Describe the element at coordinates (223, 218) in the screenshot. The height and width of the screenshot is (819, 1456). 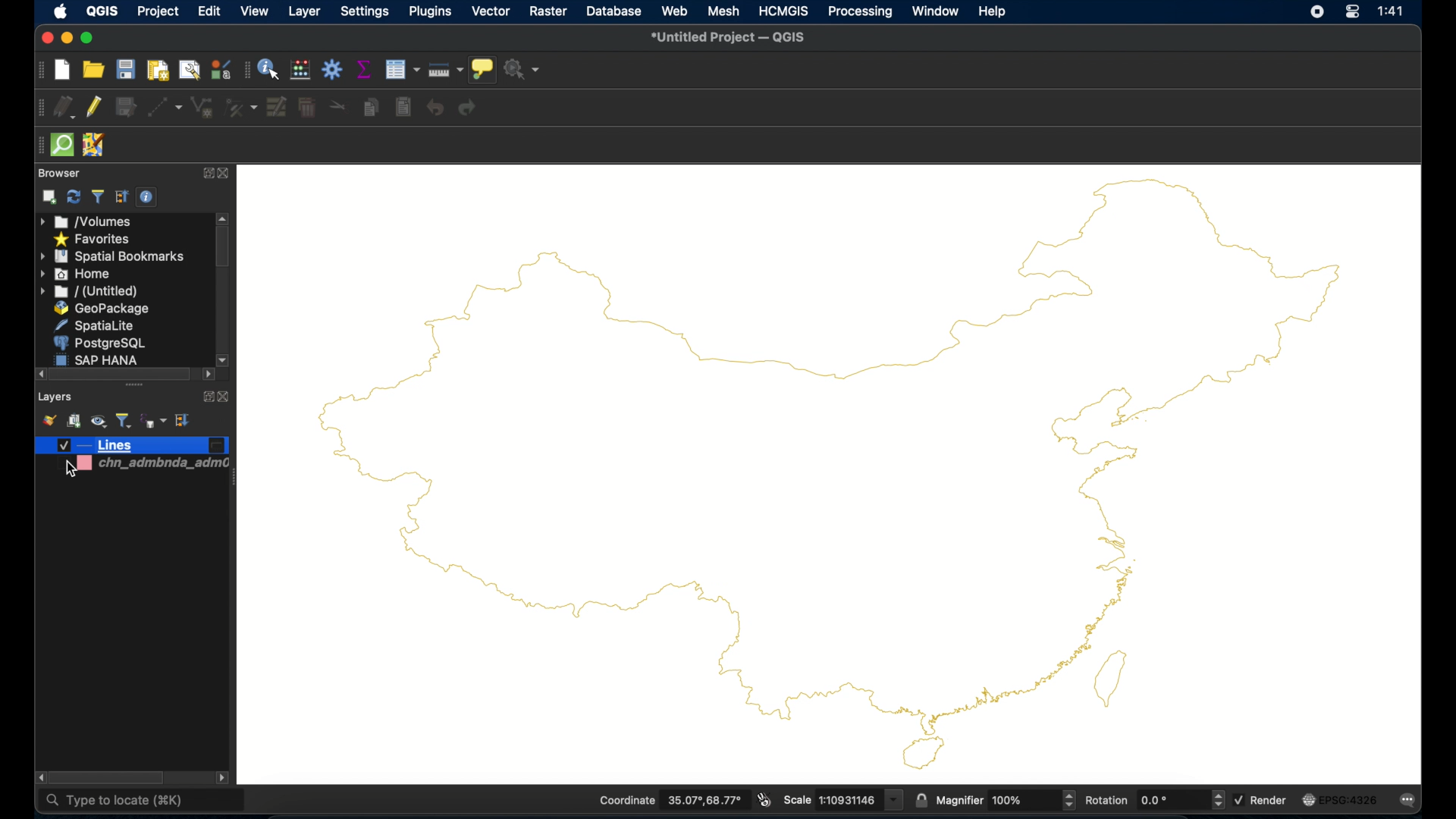
I see `scroll up arrow` at that location.